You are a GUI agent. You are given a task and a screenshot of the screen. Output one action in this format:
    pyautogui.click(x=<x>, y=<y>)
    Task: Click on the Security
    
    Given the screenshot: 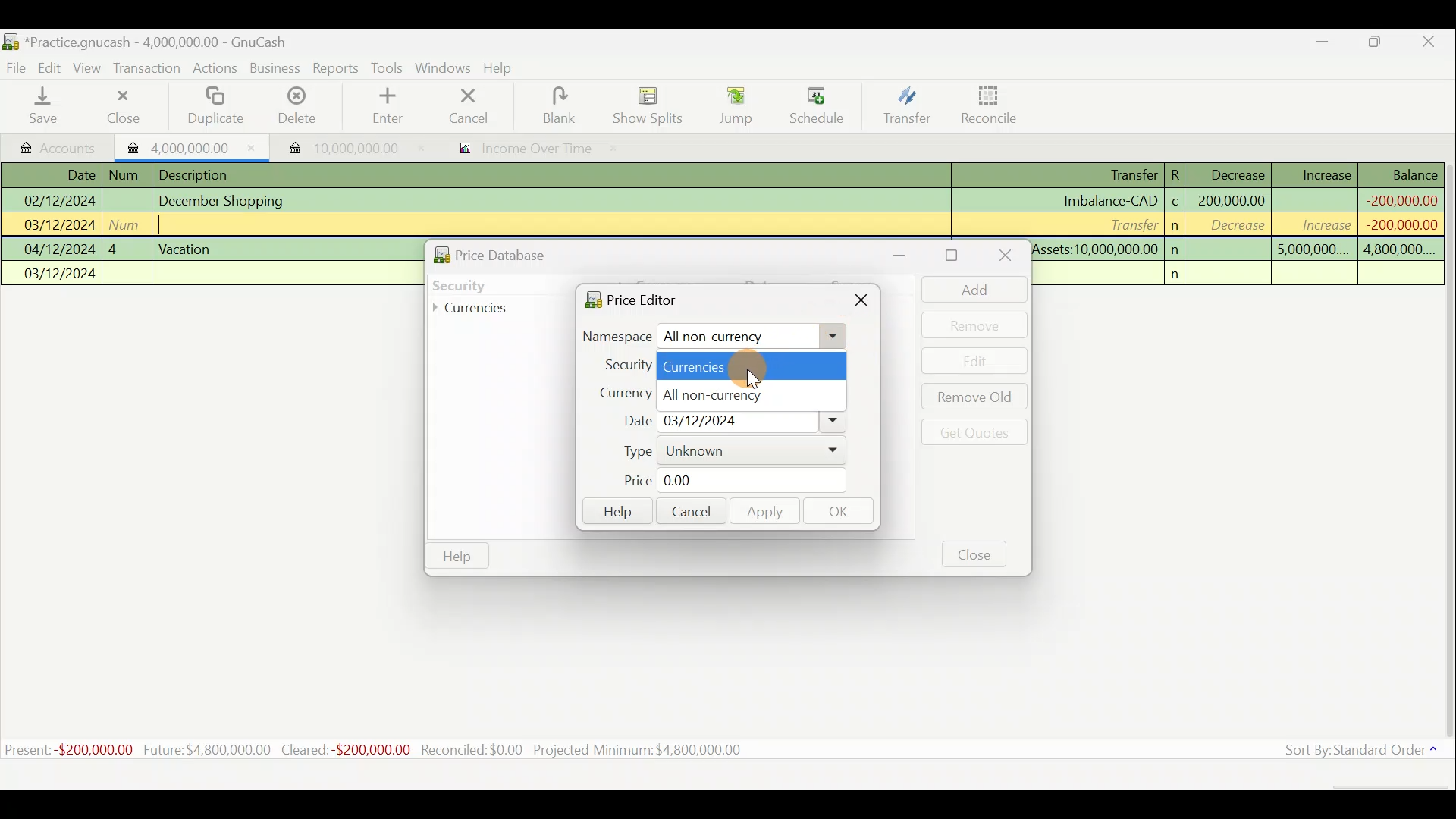 What is the action you would take?
    pyautogui.click(x=490, y=284)
    